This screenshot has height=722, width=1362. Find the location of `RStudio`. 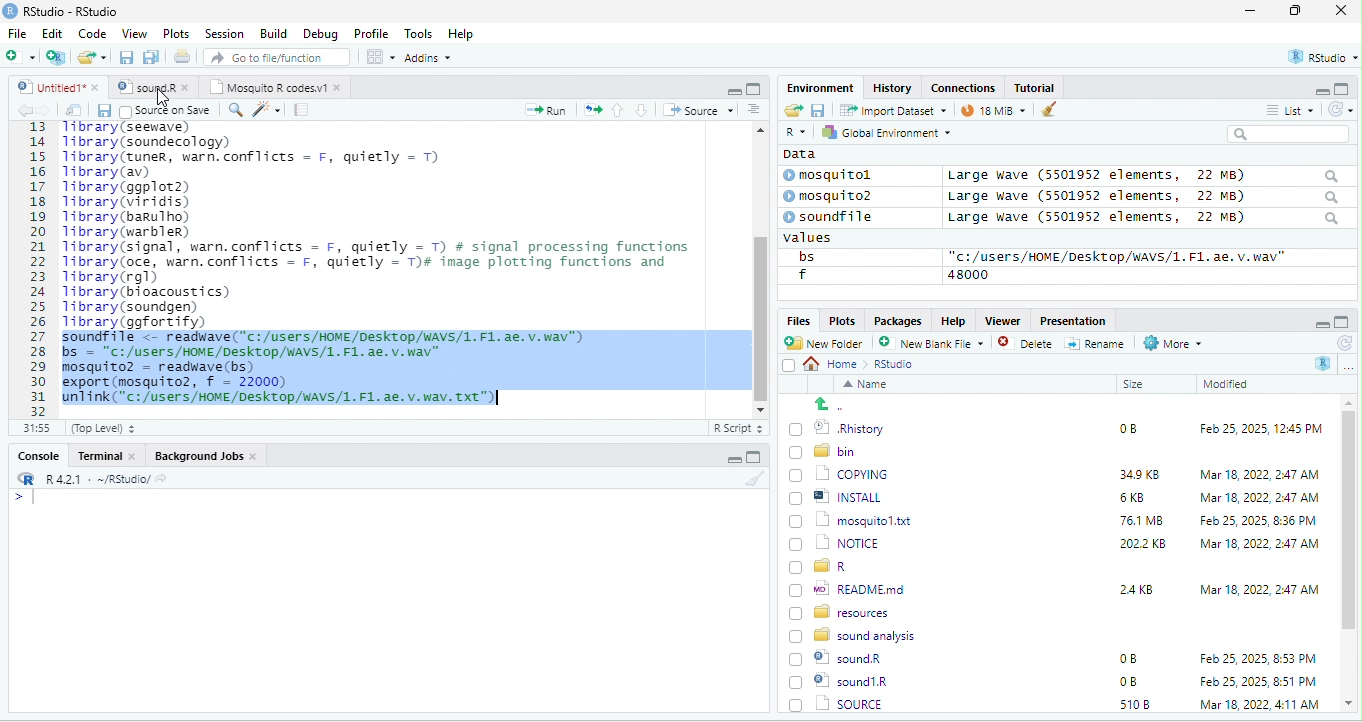

RStudio is located at coordinates (64, 10).